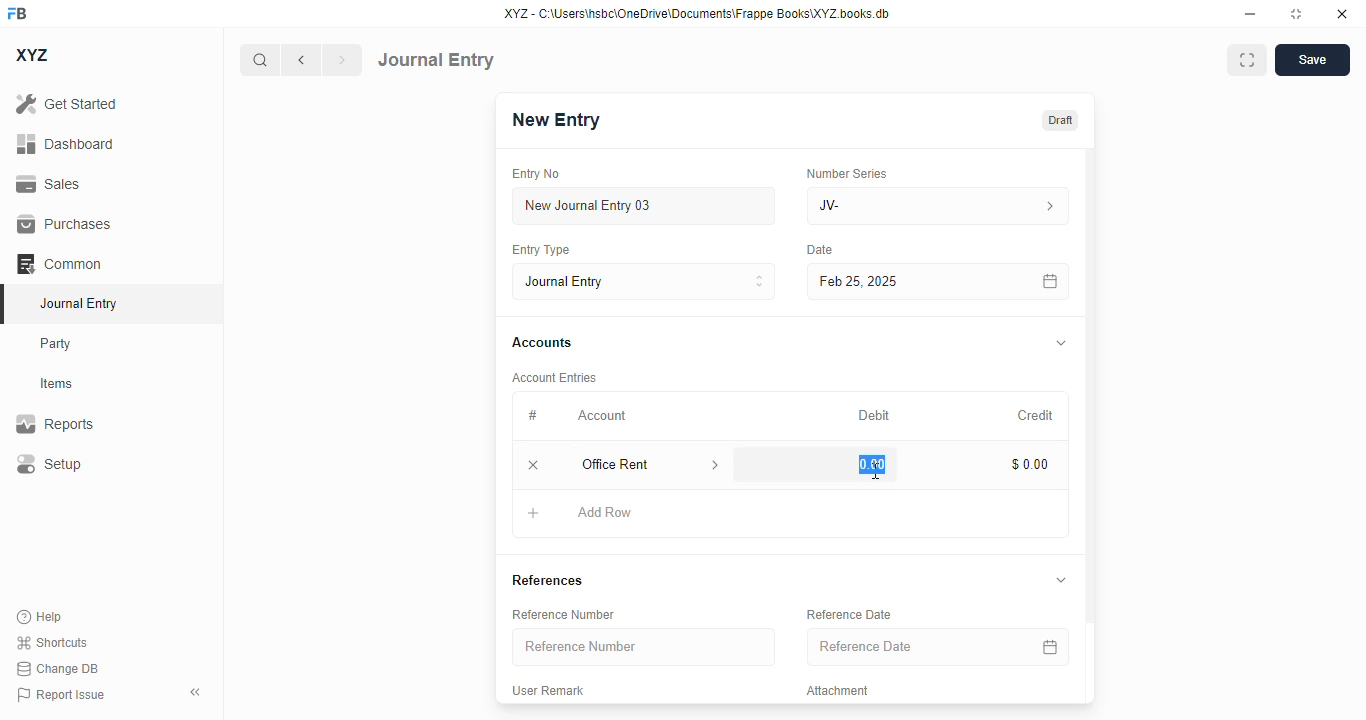 Image resolution: width=1366 pixels, height=720 pixels. I want to click on help, so click(40, 617).